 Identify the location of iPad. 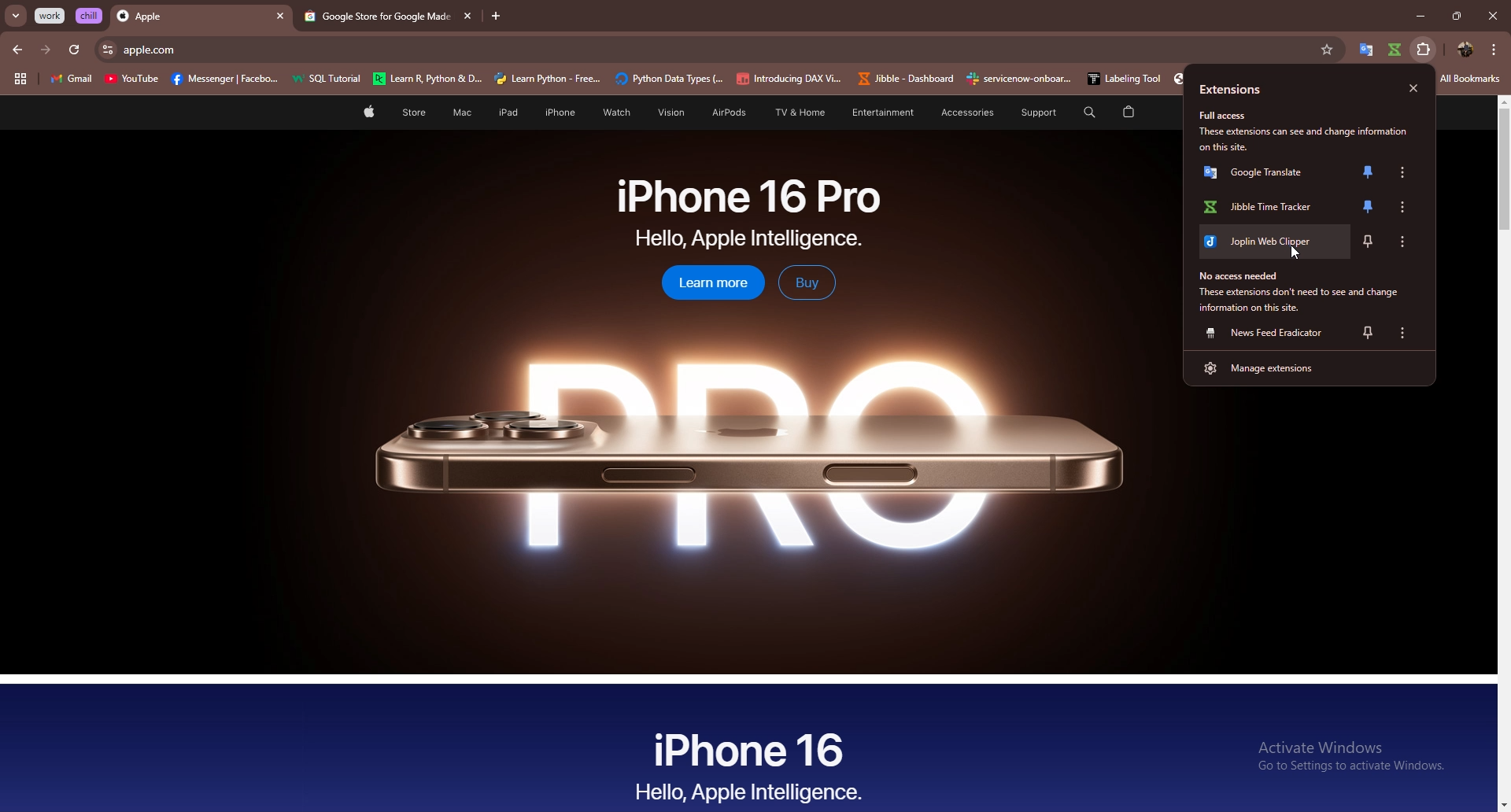
(505, 113).